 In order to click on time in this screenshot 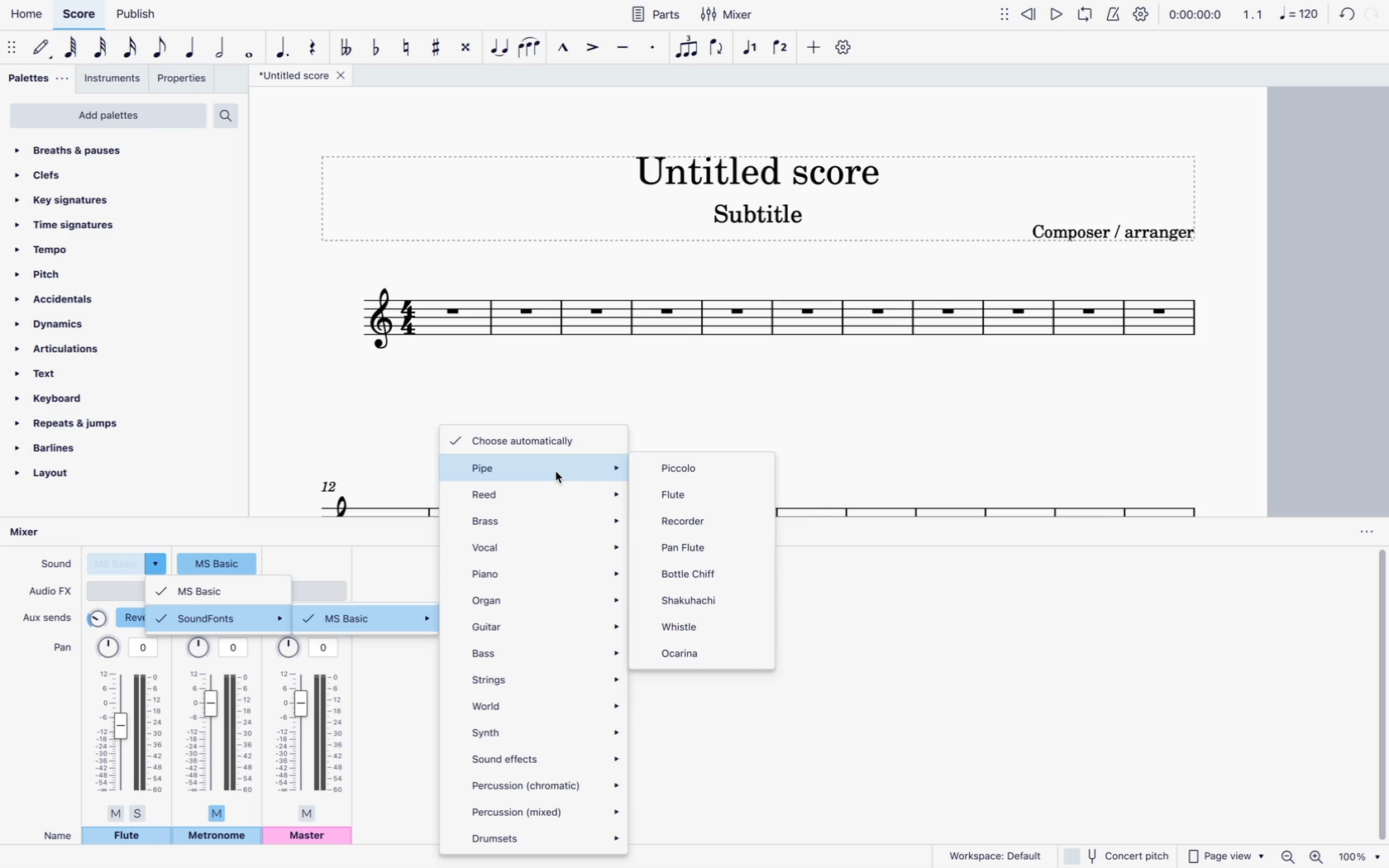, I will do `click(1195, 13)`.